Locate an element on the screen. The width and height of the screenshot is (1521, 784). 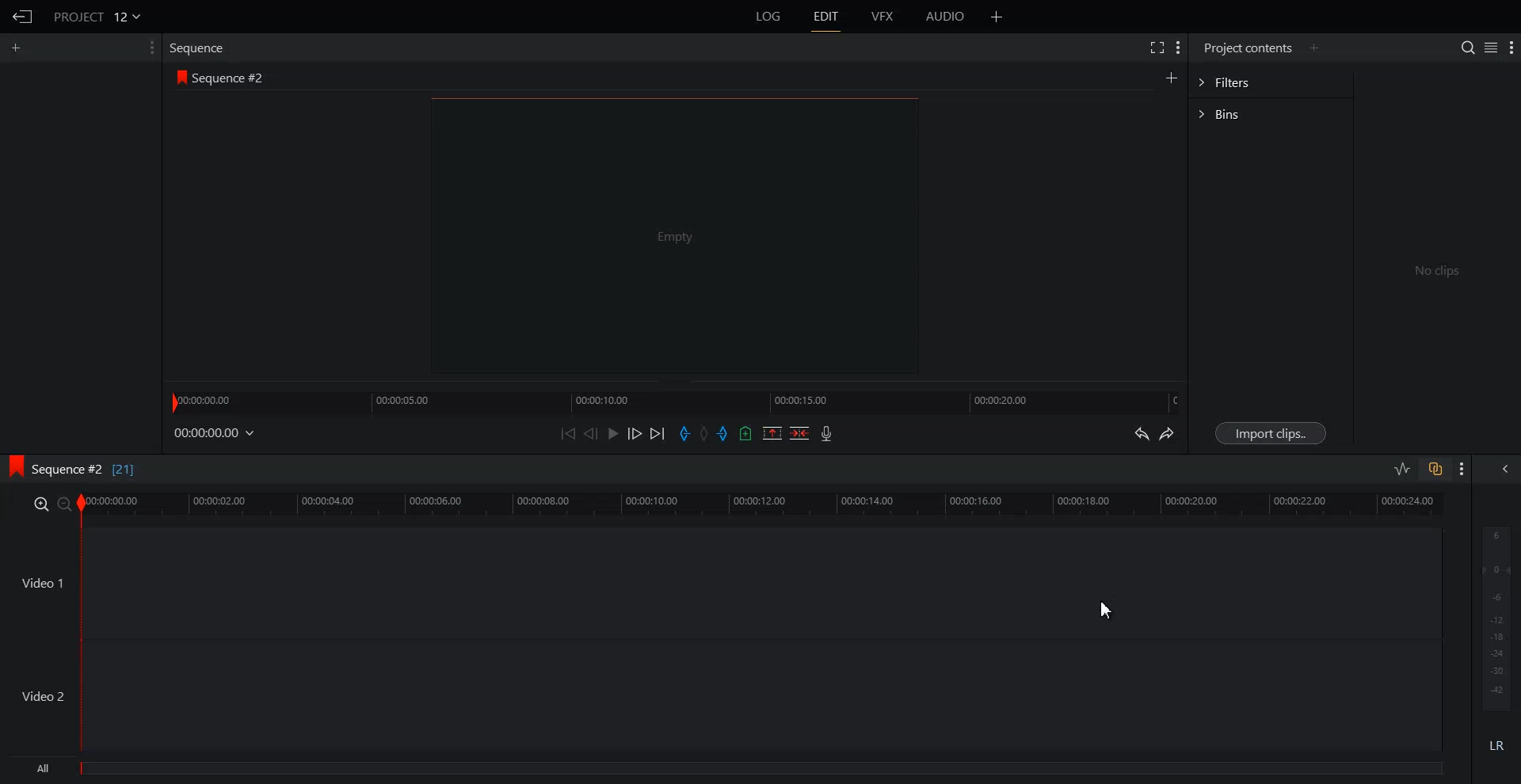
Video 2 is located at coordinates (723, 697).